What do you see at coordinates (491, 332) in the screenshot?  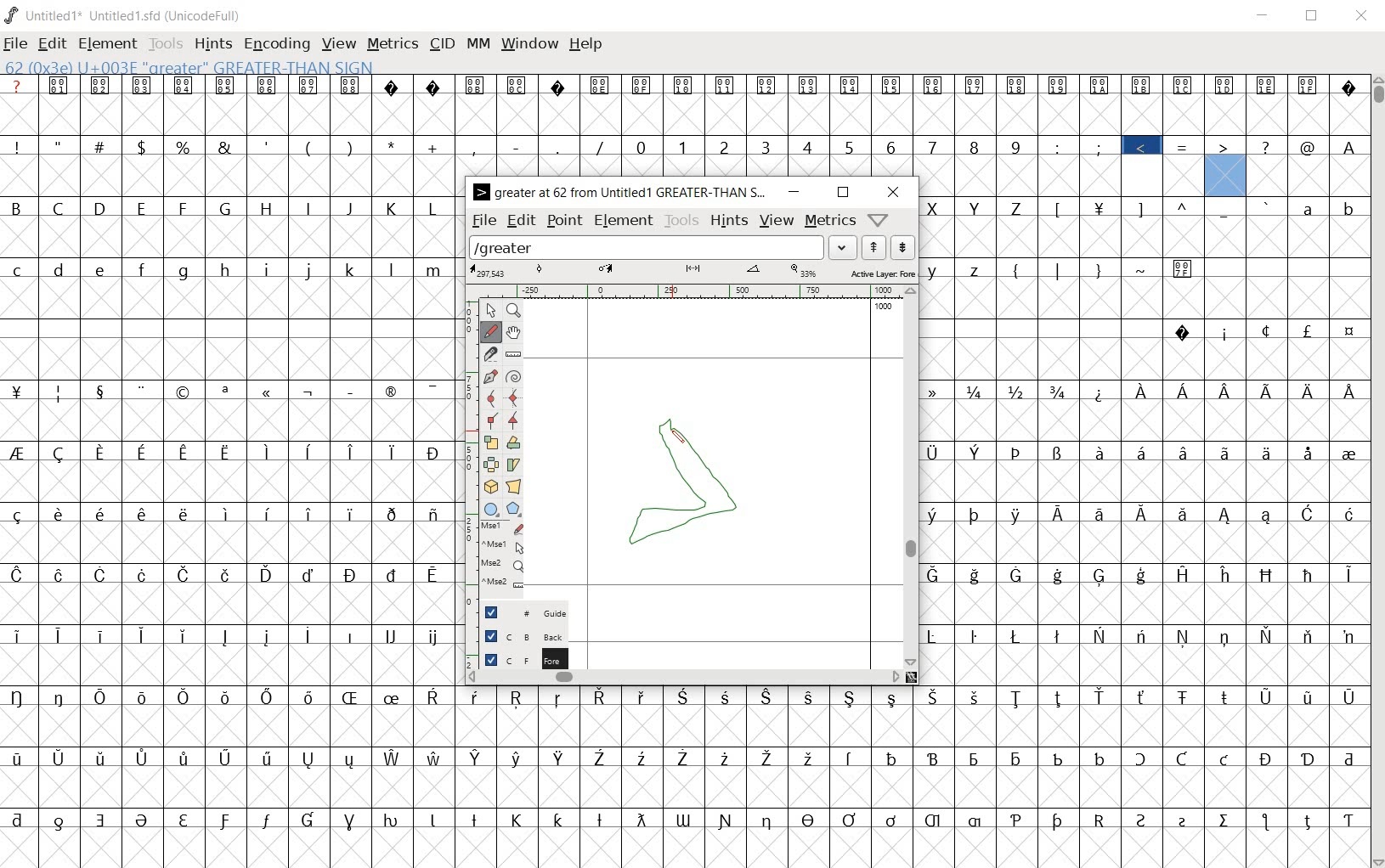 I see `draw a freehand curve` at bounding box center [491, 332].